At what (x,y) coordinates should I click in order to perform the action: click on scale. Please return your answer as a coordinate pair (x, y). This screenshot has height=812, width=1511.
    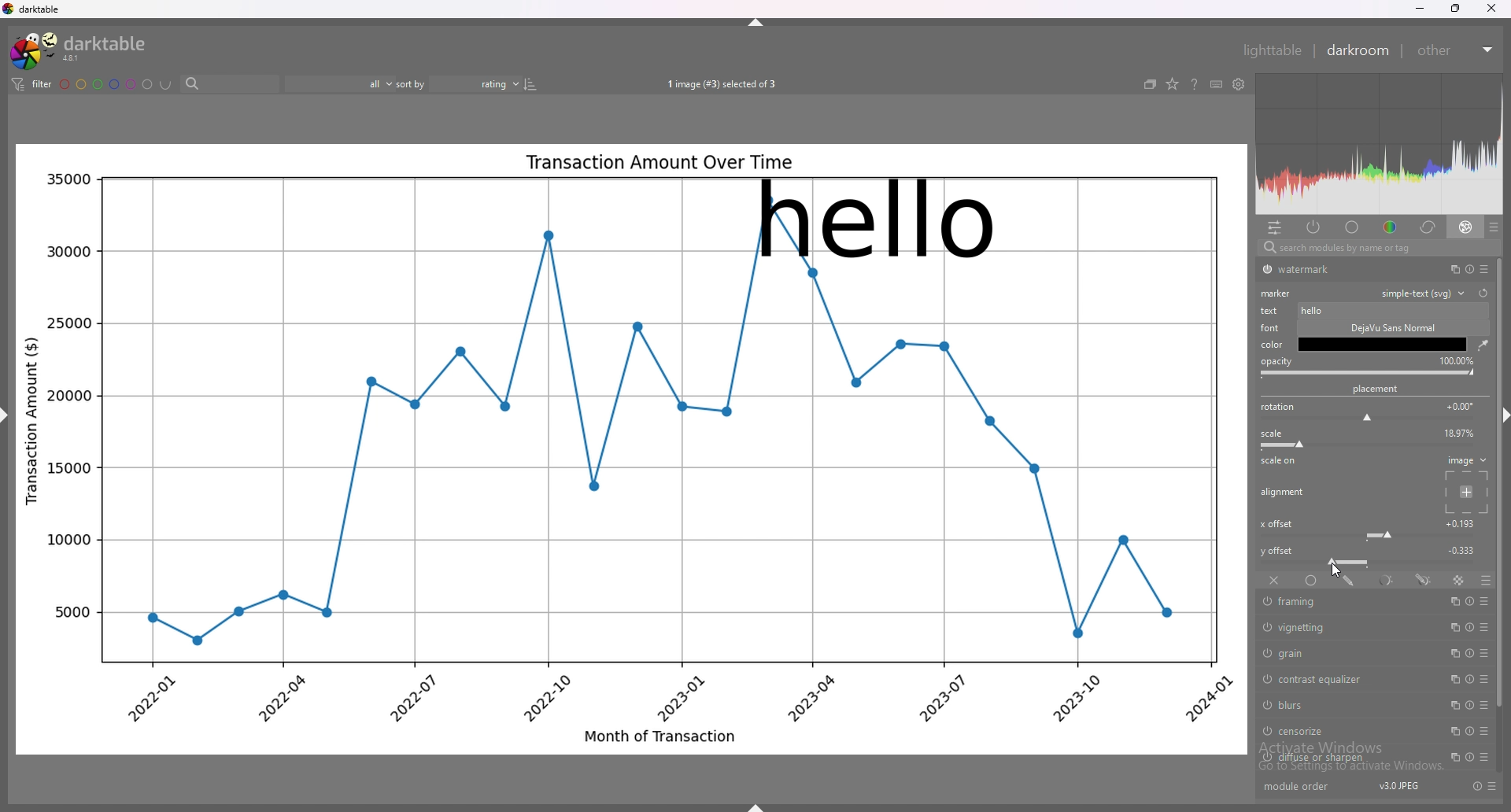
    Looking at the image, I should click on (1272, 434).